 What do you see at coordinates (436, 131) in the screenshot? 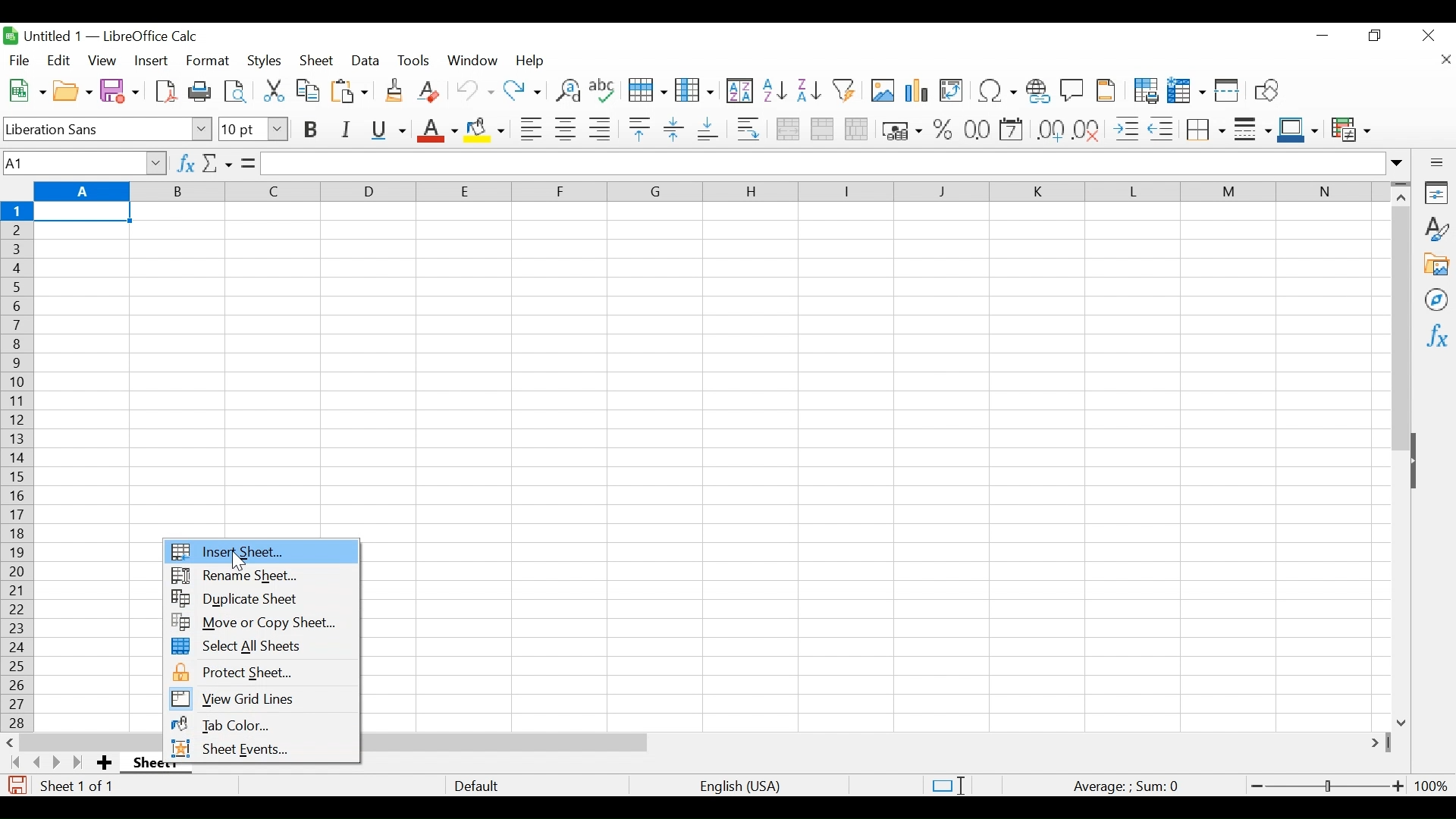
I see `Font Color` at bounding box center [436, 131].